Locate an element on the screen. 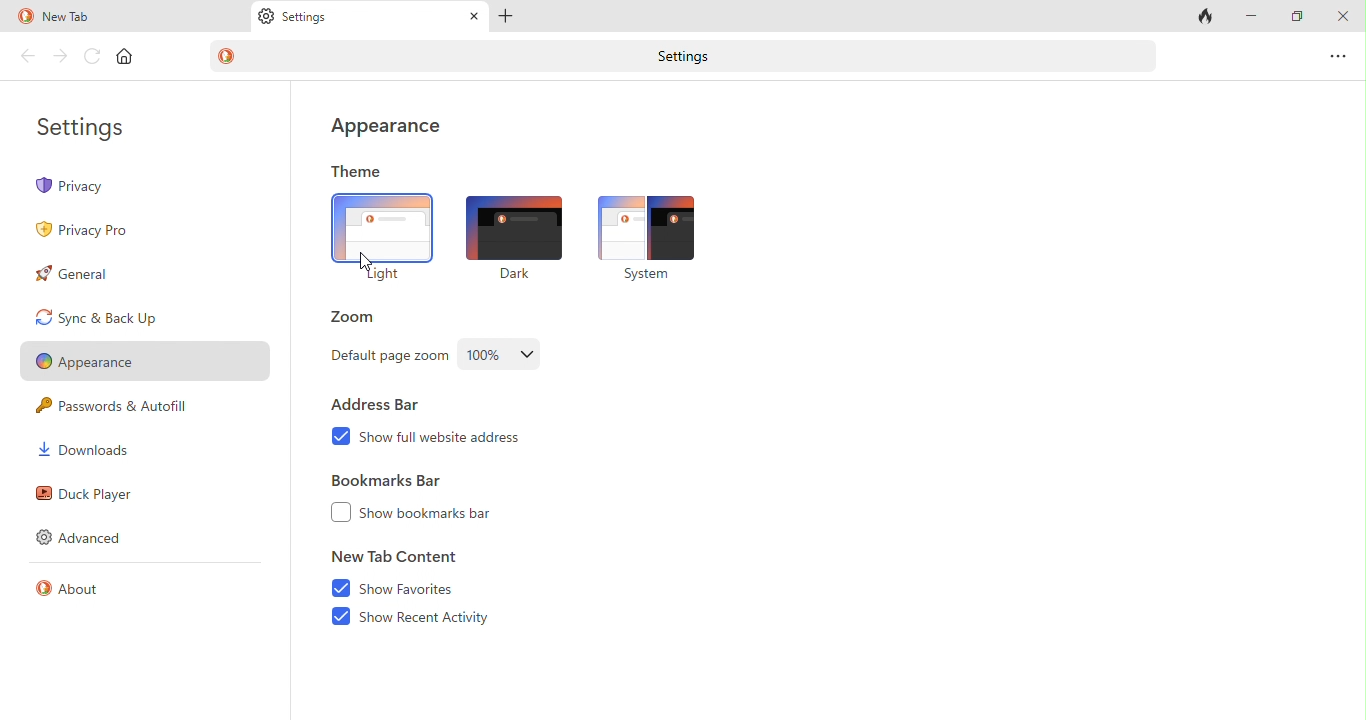 This screenshot has width=1366, height=720. show recent activity is located at coordinates (433, 617).